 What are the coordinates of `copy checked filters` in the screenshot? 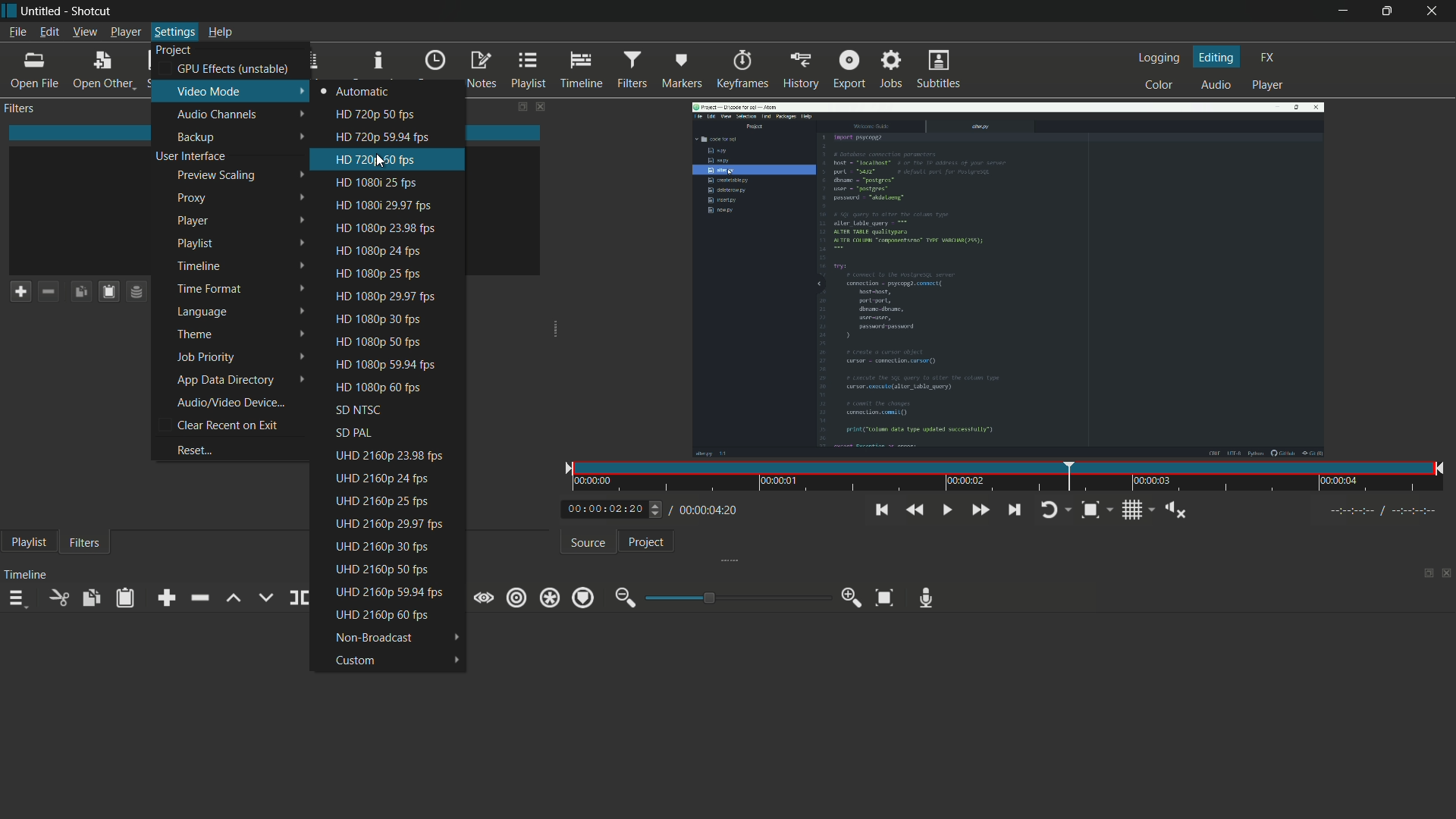 It's located at (80, 290).